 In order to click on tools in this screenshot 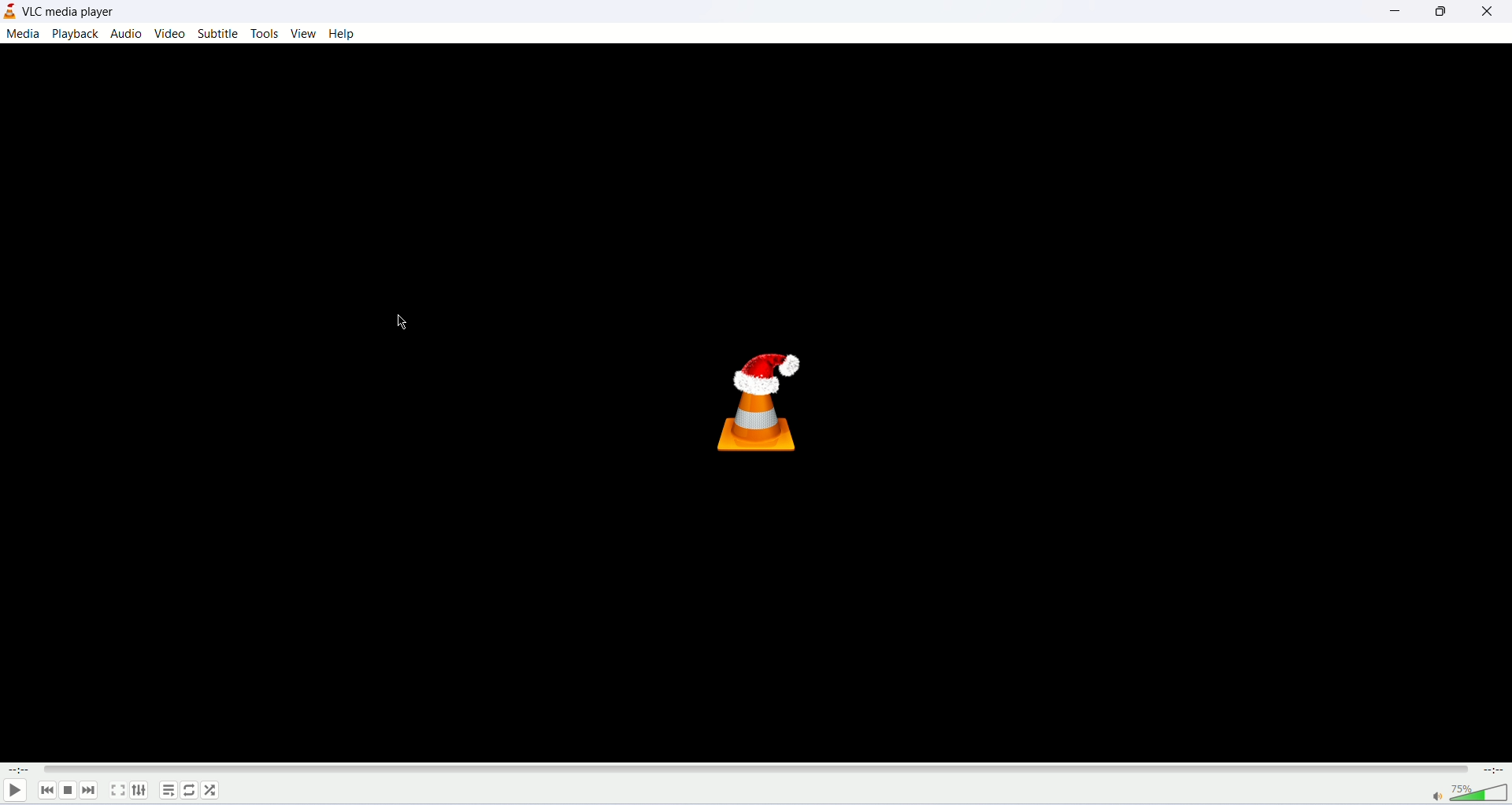, I will do `click(265, 34)`.